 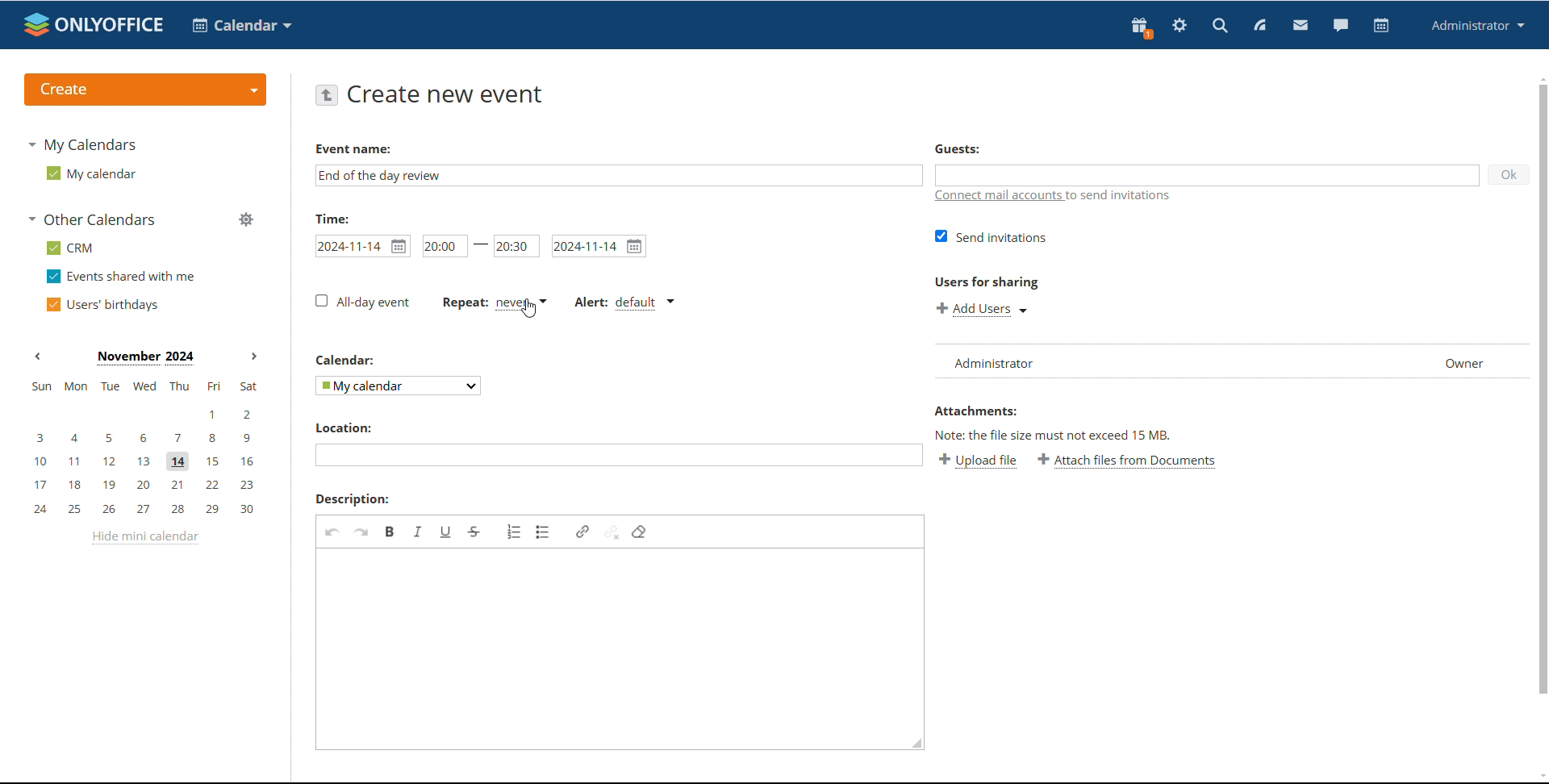 I want to click on unlink, so click(x=612, y=531).